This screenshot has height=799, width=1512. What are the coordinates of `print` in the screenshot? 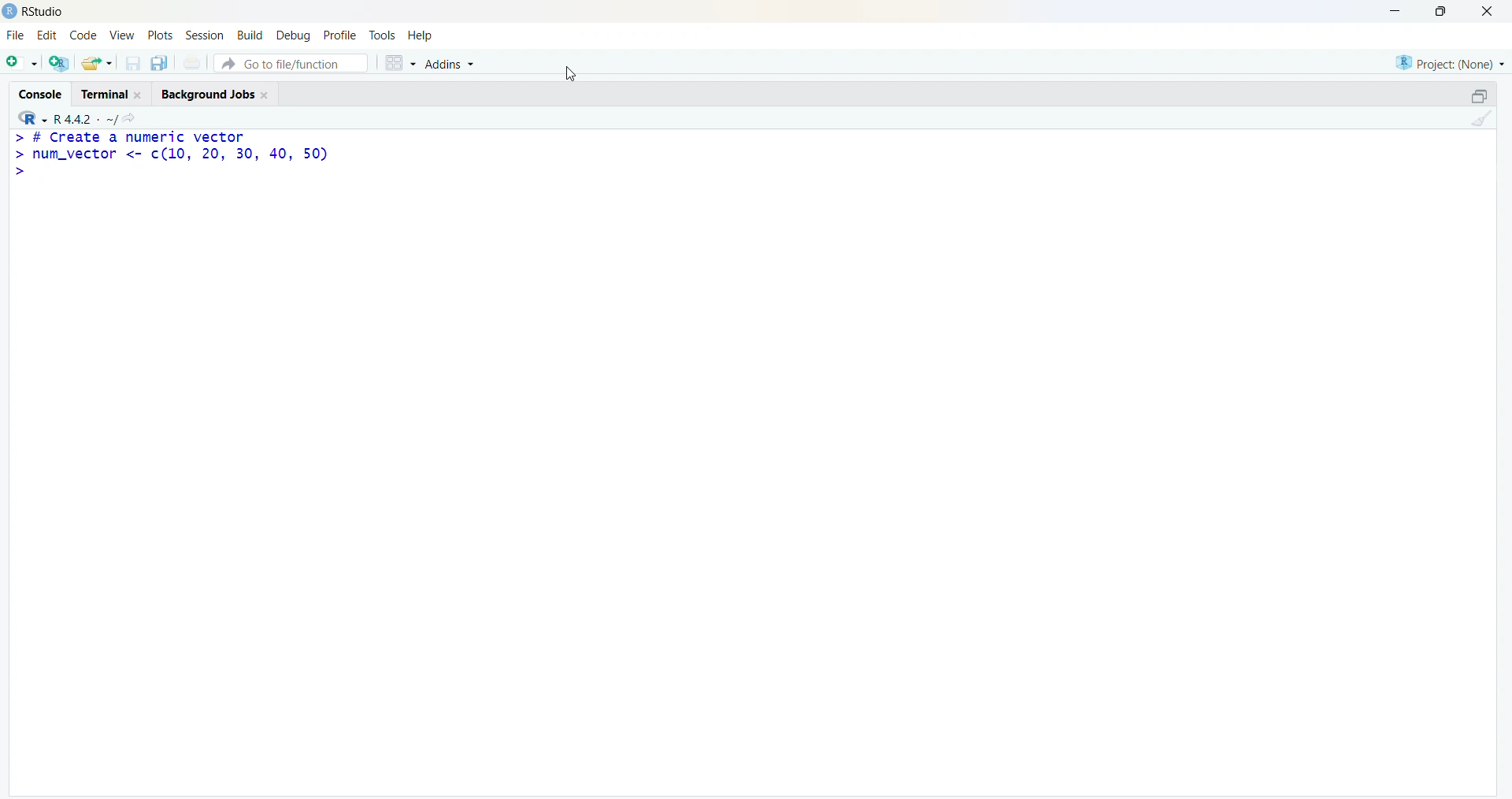 It's located at (192, 61).